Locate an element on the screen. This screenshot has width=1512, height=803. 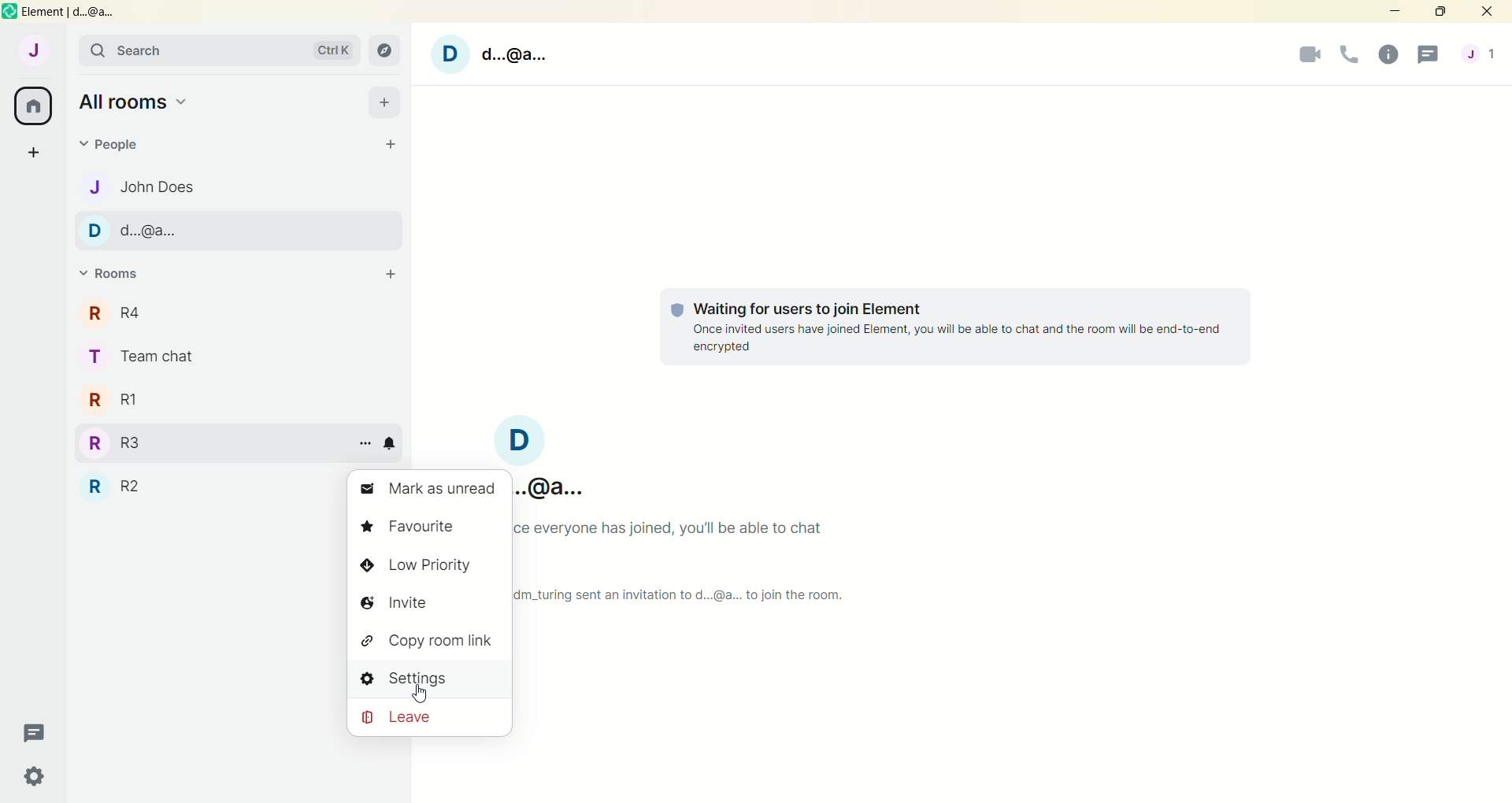
close is located at coordinates (1491, 13).